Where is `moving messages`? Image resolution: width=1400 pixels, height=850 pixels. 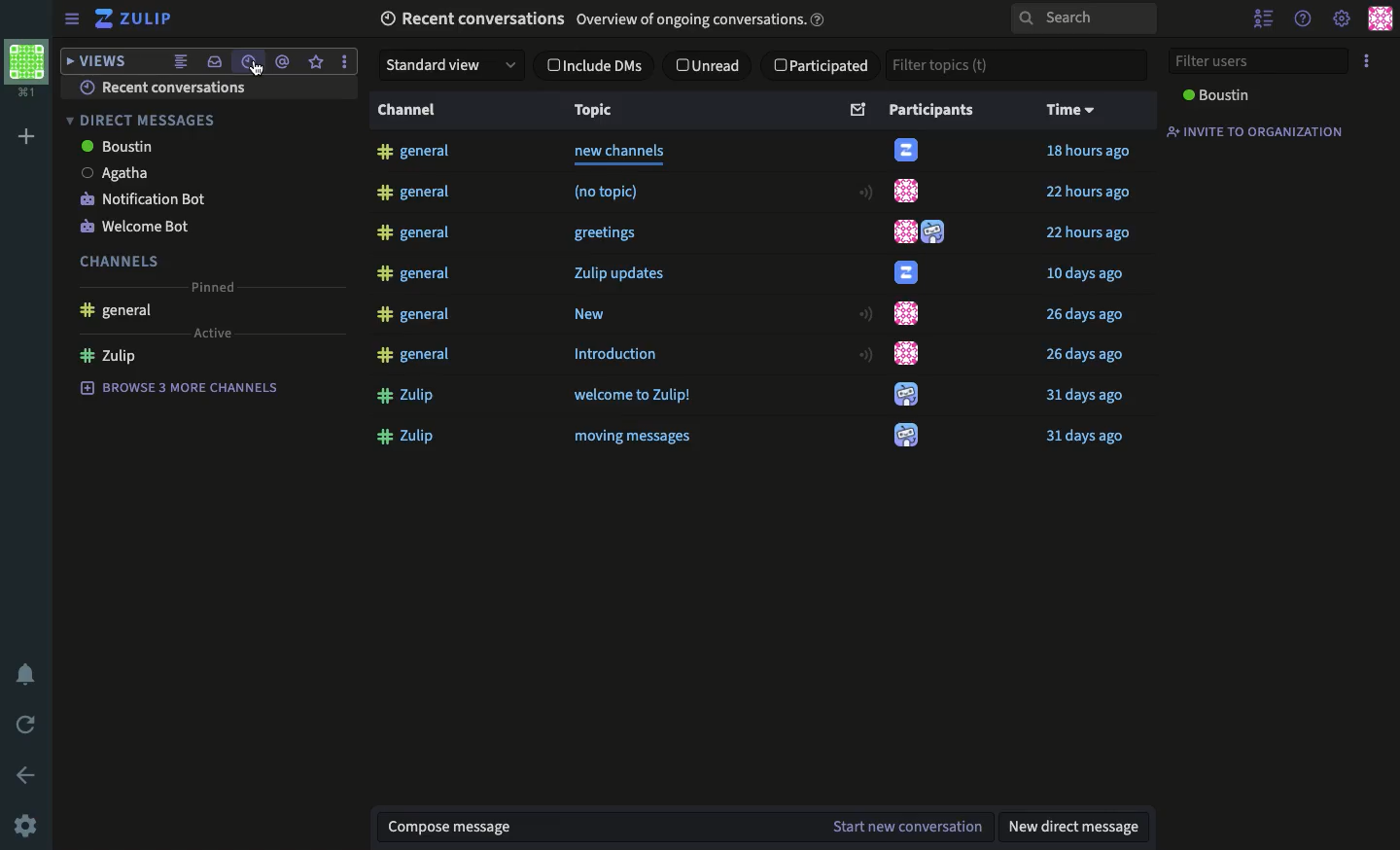 moving messages is located at coordinates (636, 439).